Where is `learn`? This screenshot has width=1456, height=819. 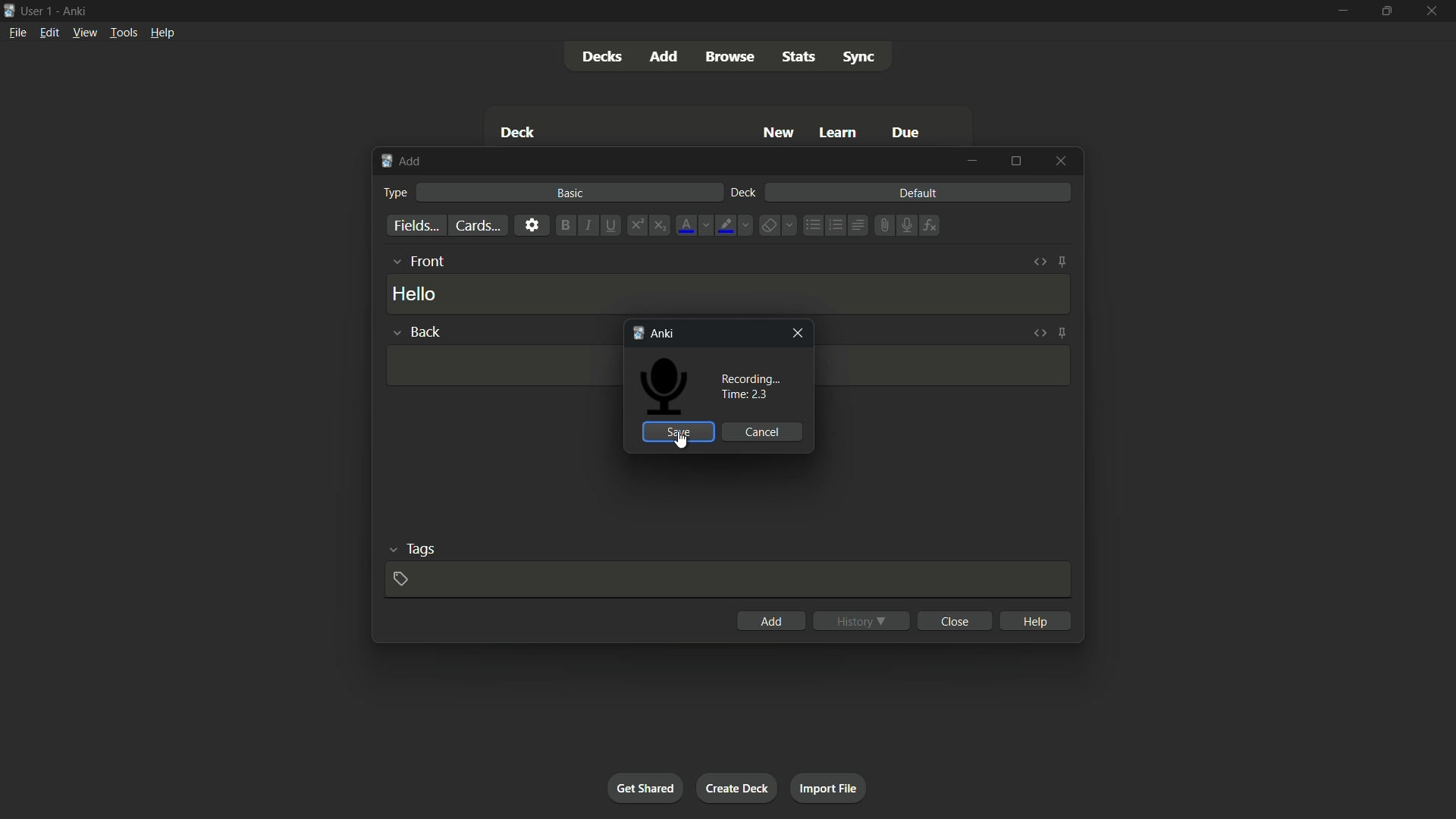 learn is located at coordinates (839, 132).